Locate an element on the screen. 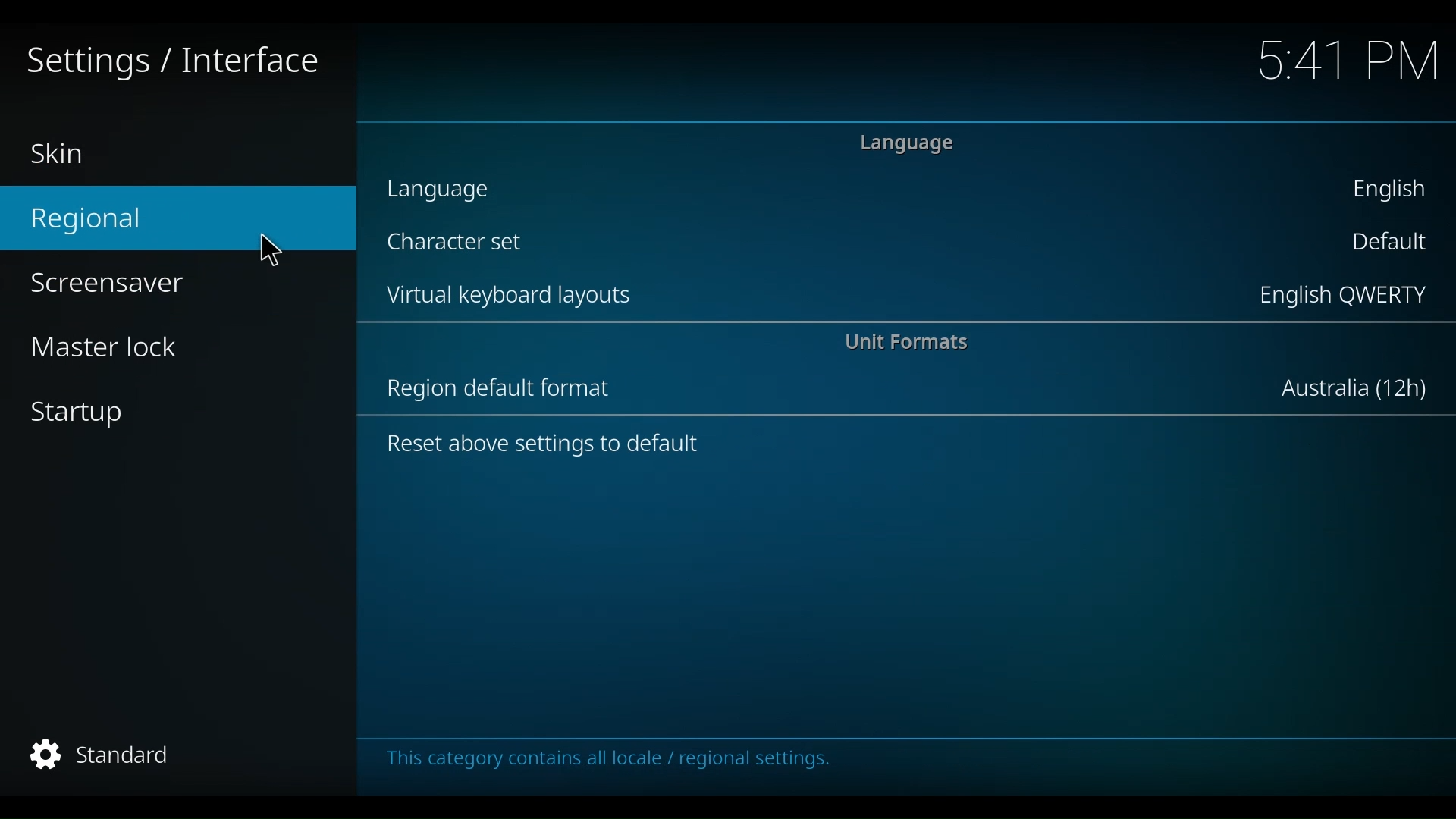 The width and height of the screenshot is (1456, 819). Regional is located at coordinates (181, 218).